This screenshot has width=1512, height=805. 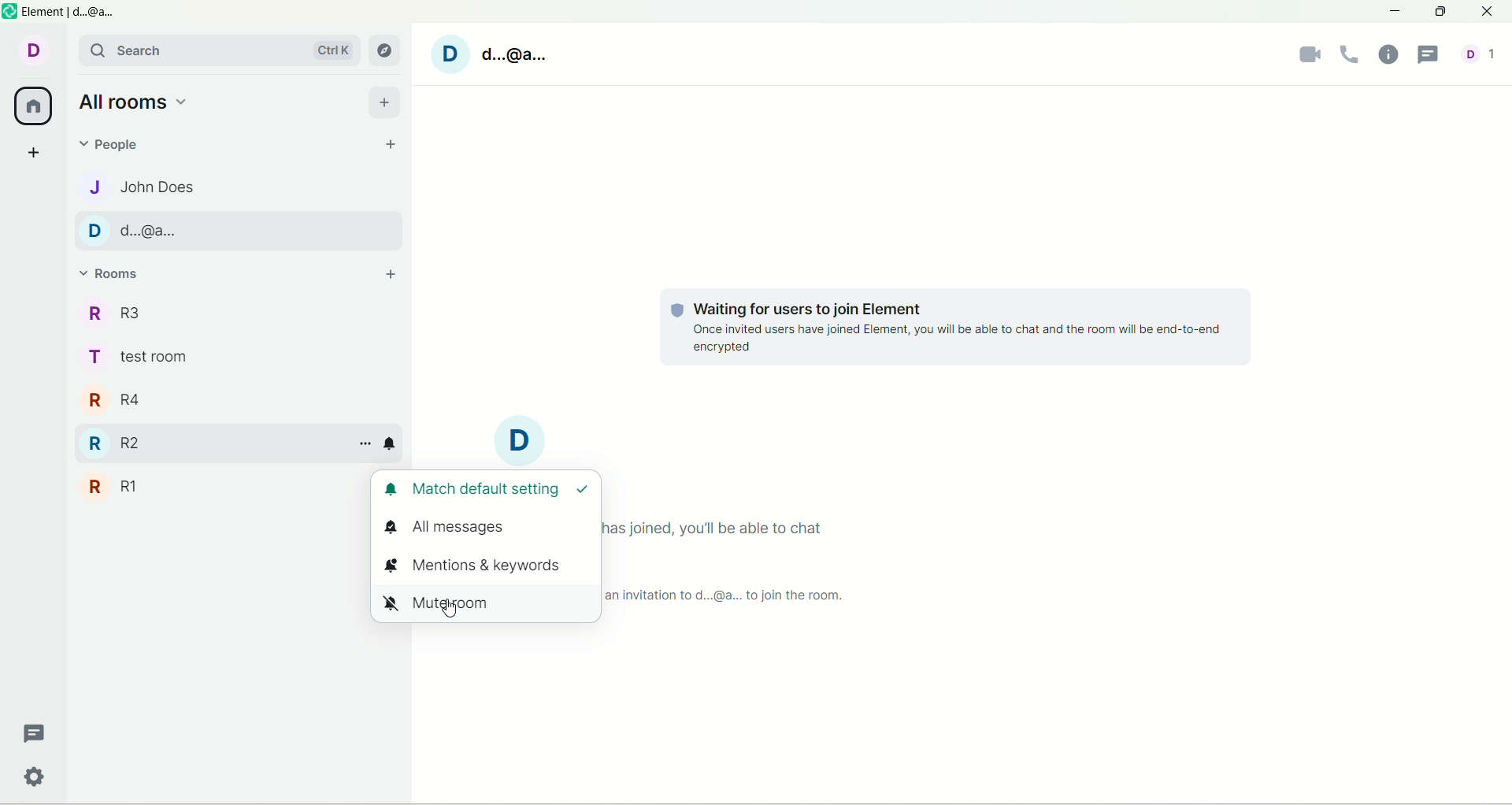 I want to click on quick settings, so click(x=35, y=778).